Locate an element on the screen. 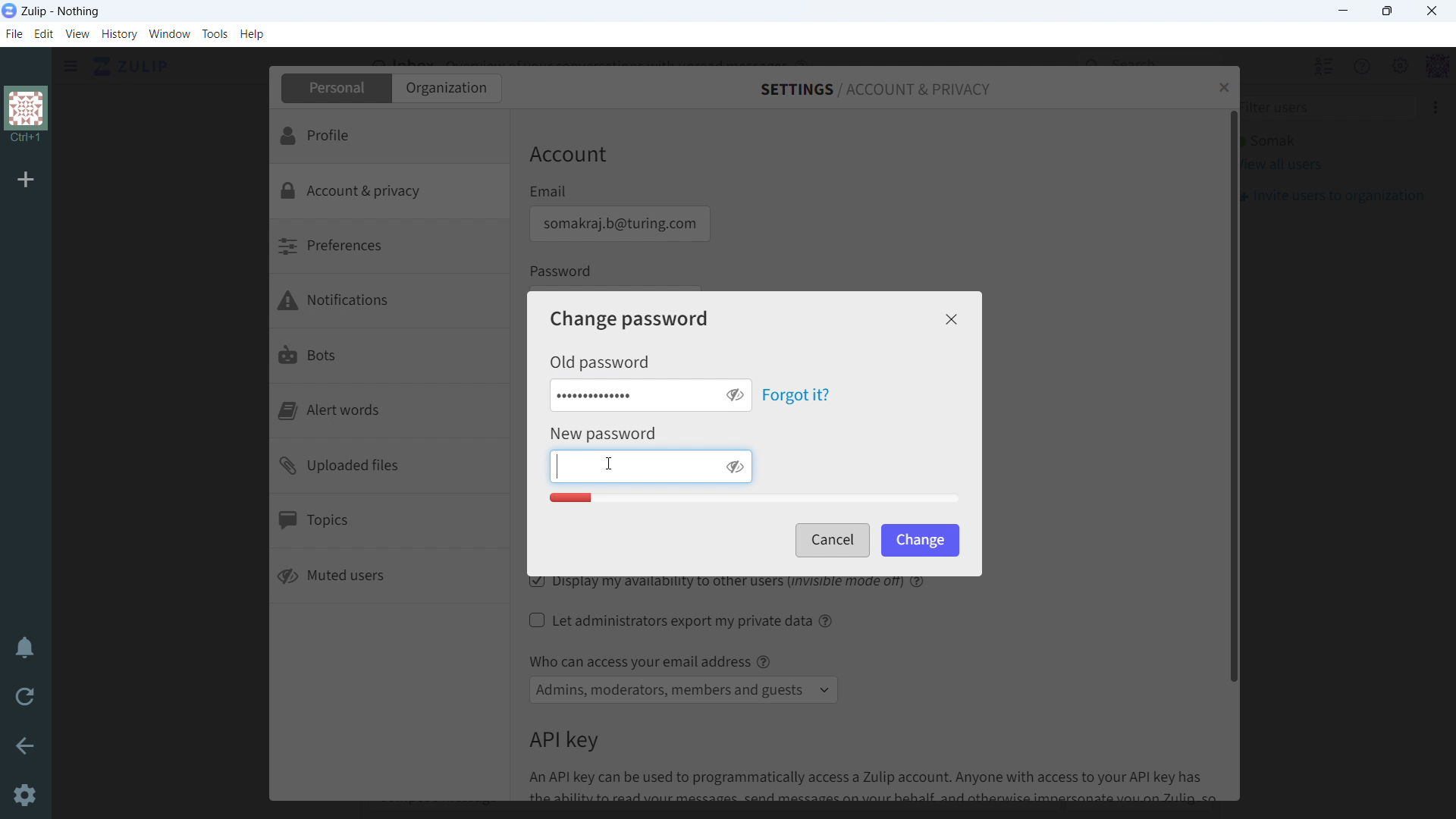 The width and height of the screenshot is (1456, 819). An API key can be used to programmatically access a Zulip account. Anyone with access to your API key has is located at coordinates (880, 785).